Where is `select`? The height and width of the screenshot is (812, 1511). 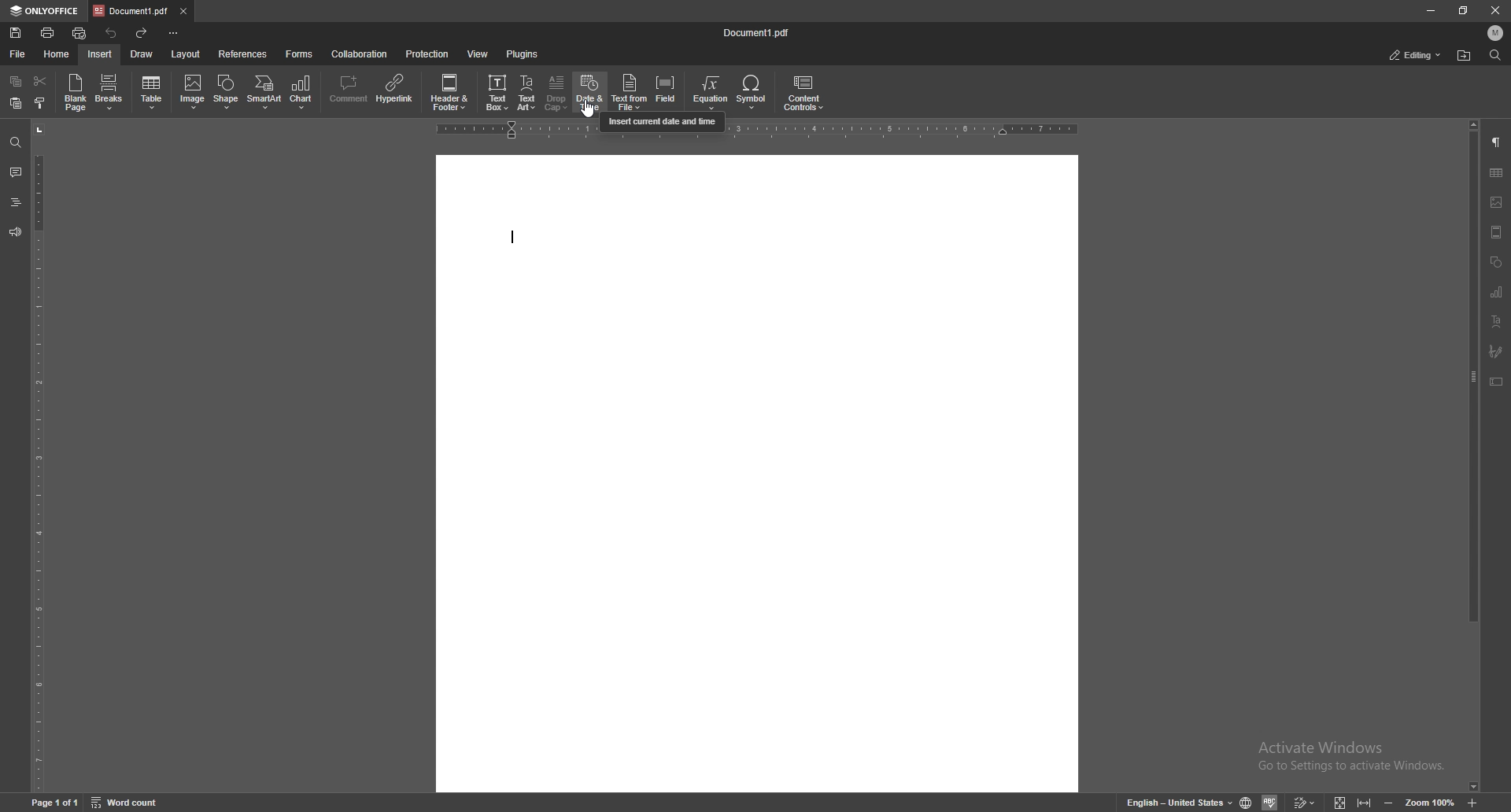
select is located at coordinates (40, 103).